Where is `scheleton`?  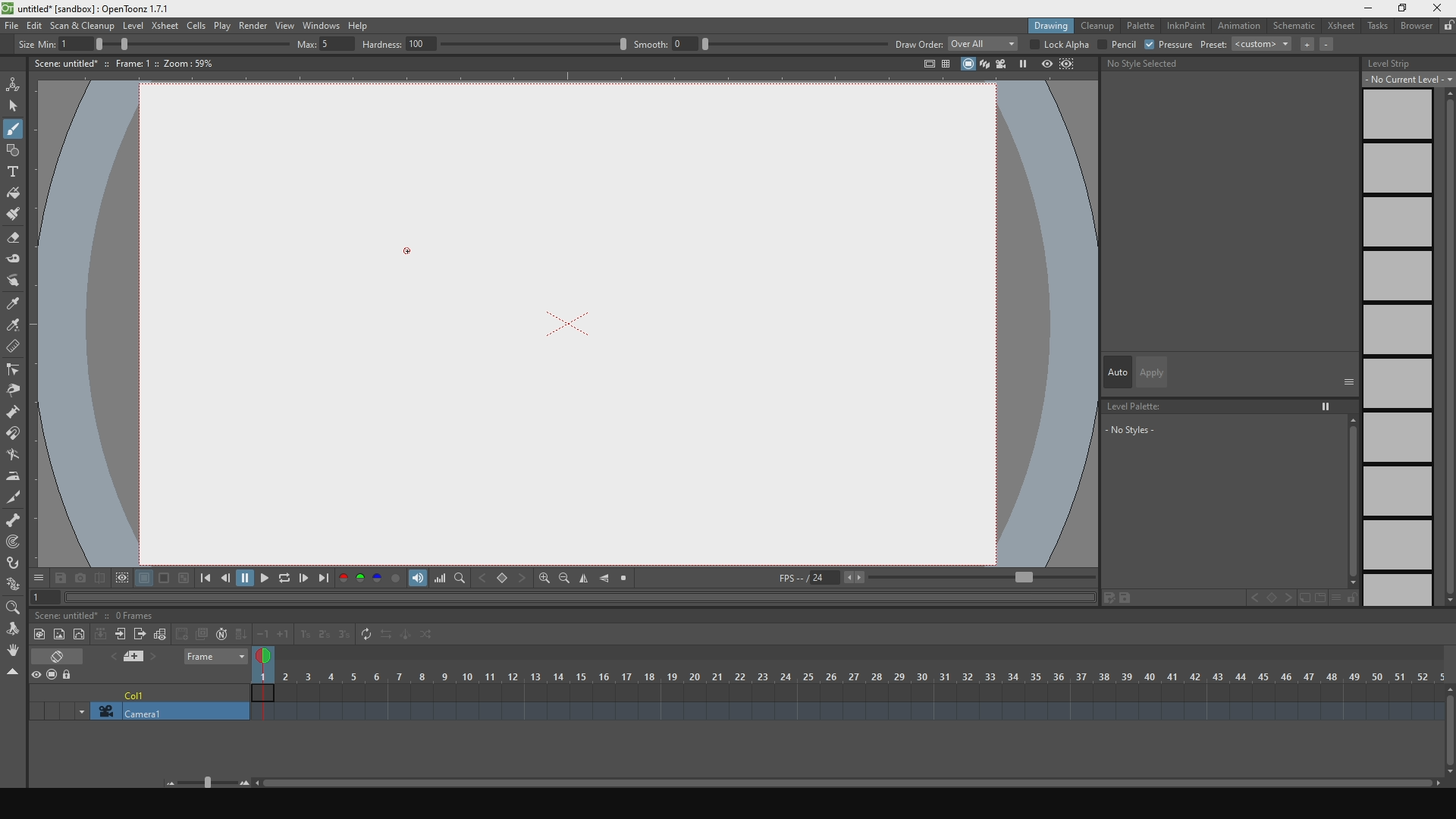 scheleton is located at coordinates (13, 519).